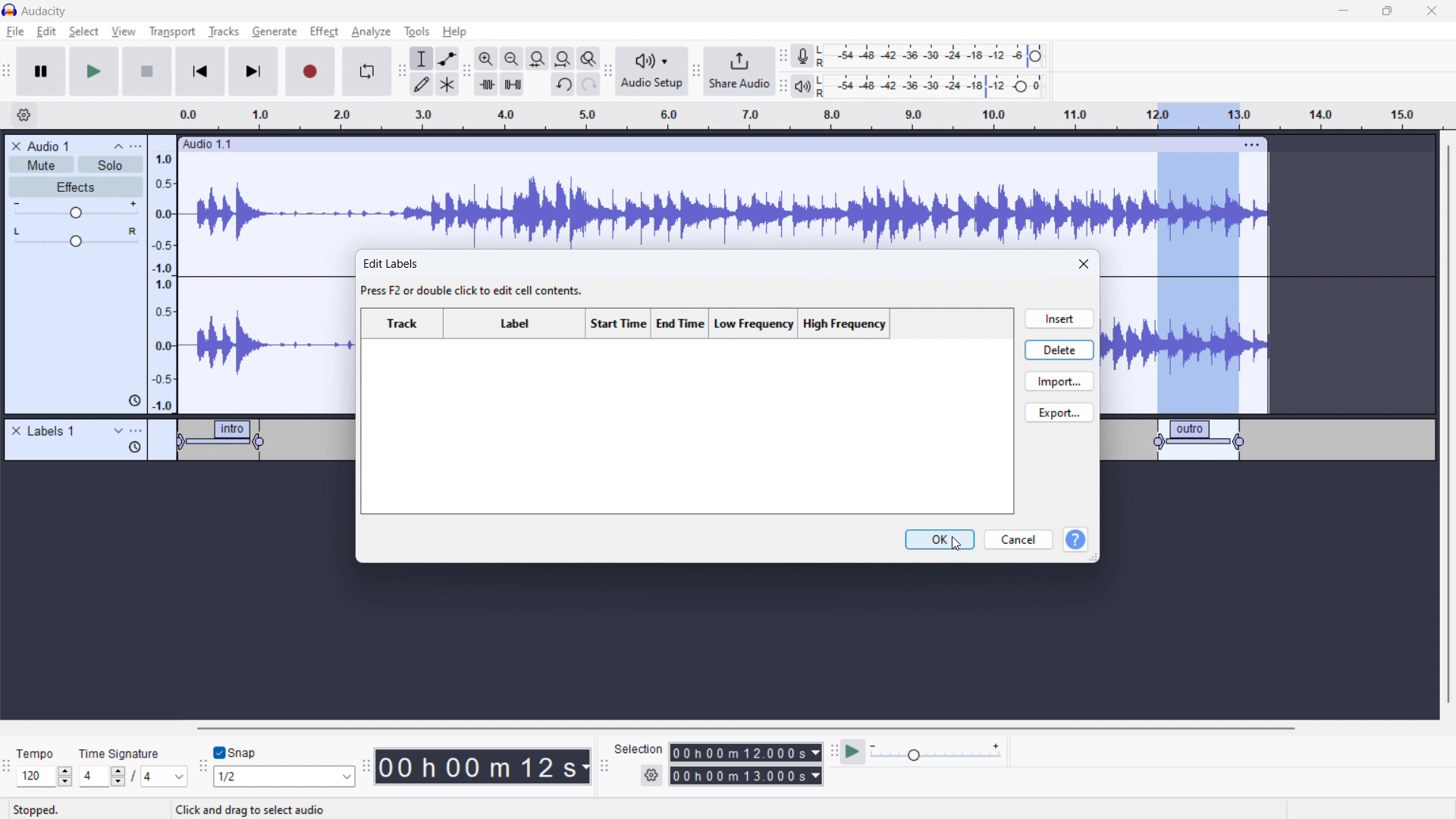  What do you see at coordinates (475, 278) in the screenshot?
I see `edit labels` at bounding box center [475, 278].